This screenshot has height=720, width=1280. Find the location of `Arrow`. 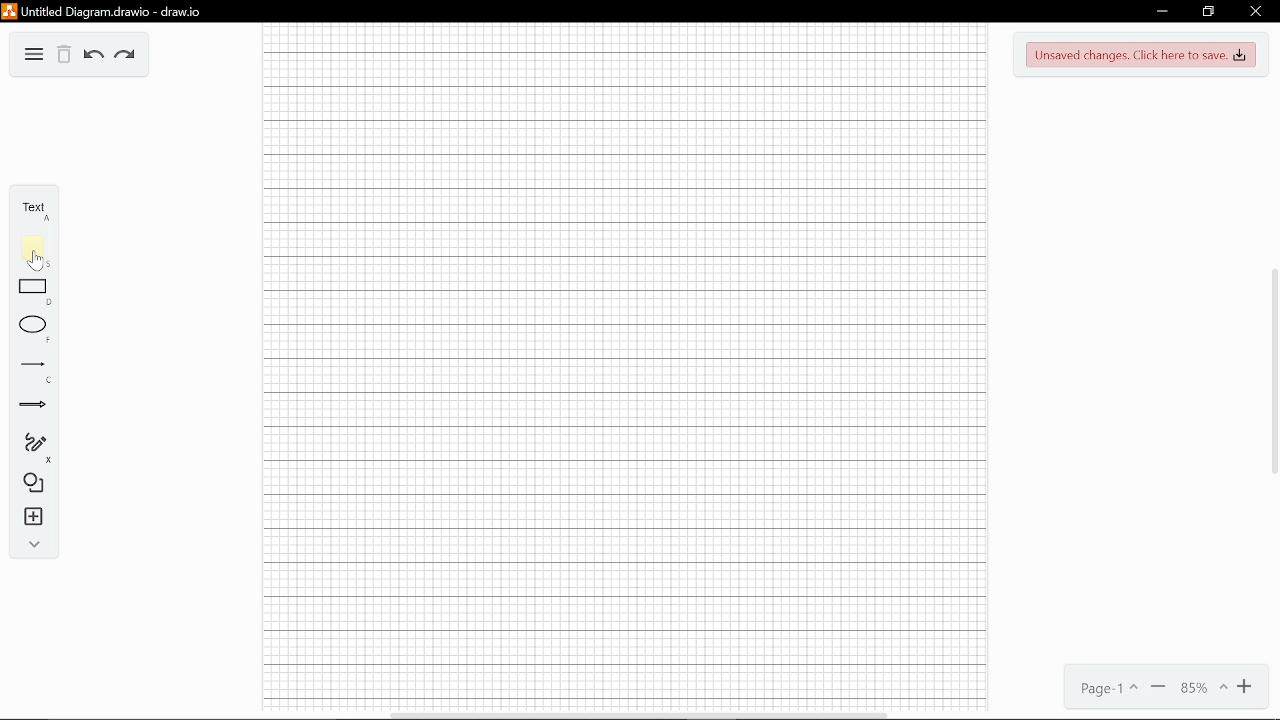

Arrow is located at coordinates (31, 405).